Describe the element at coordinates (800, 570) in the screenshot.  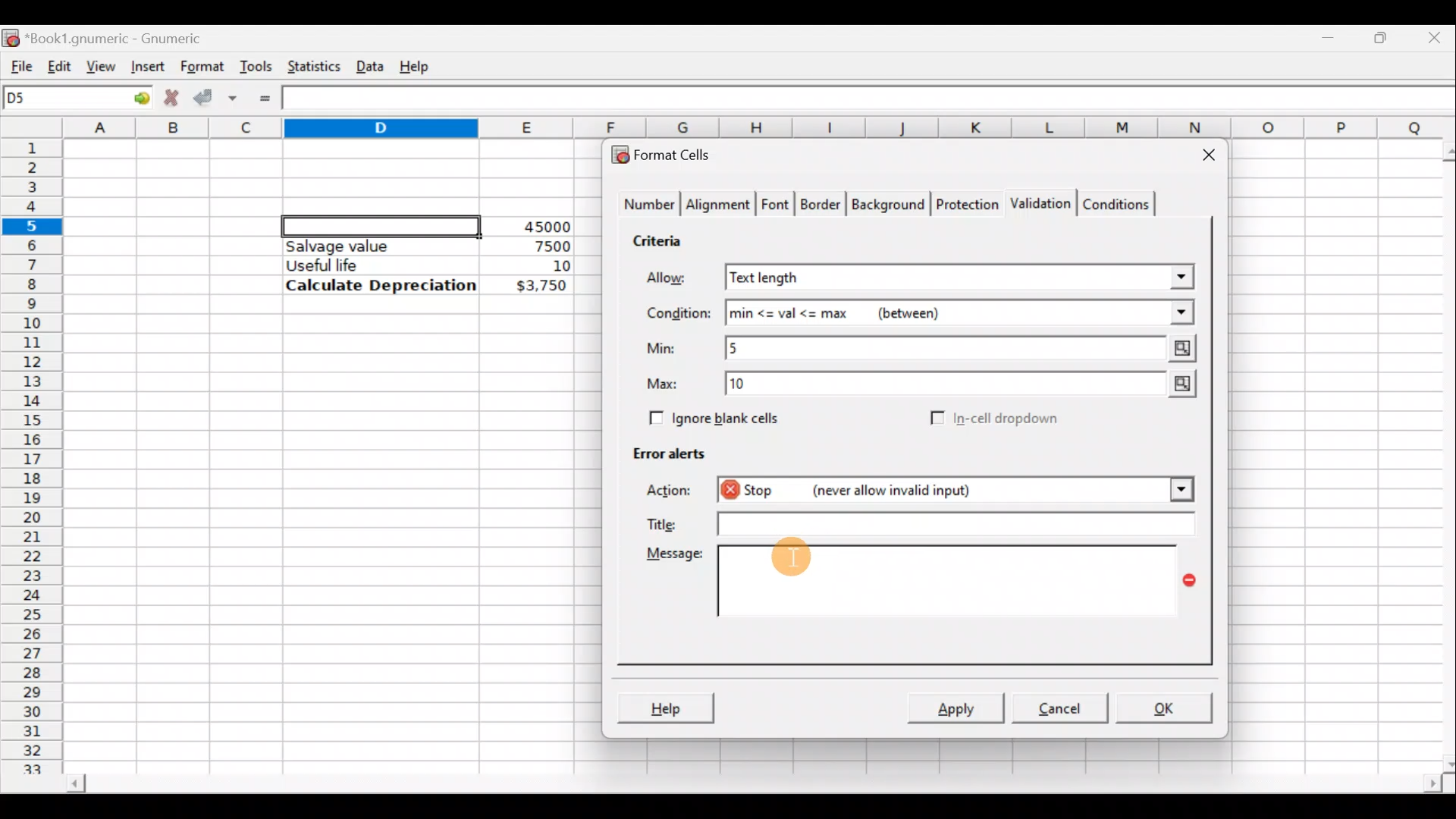
I see `Cursor on message` at that location.